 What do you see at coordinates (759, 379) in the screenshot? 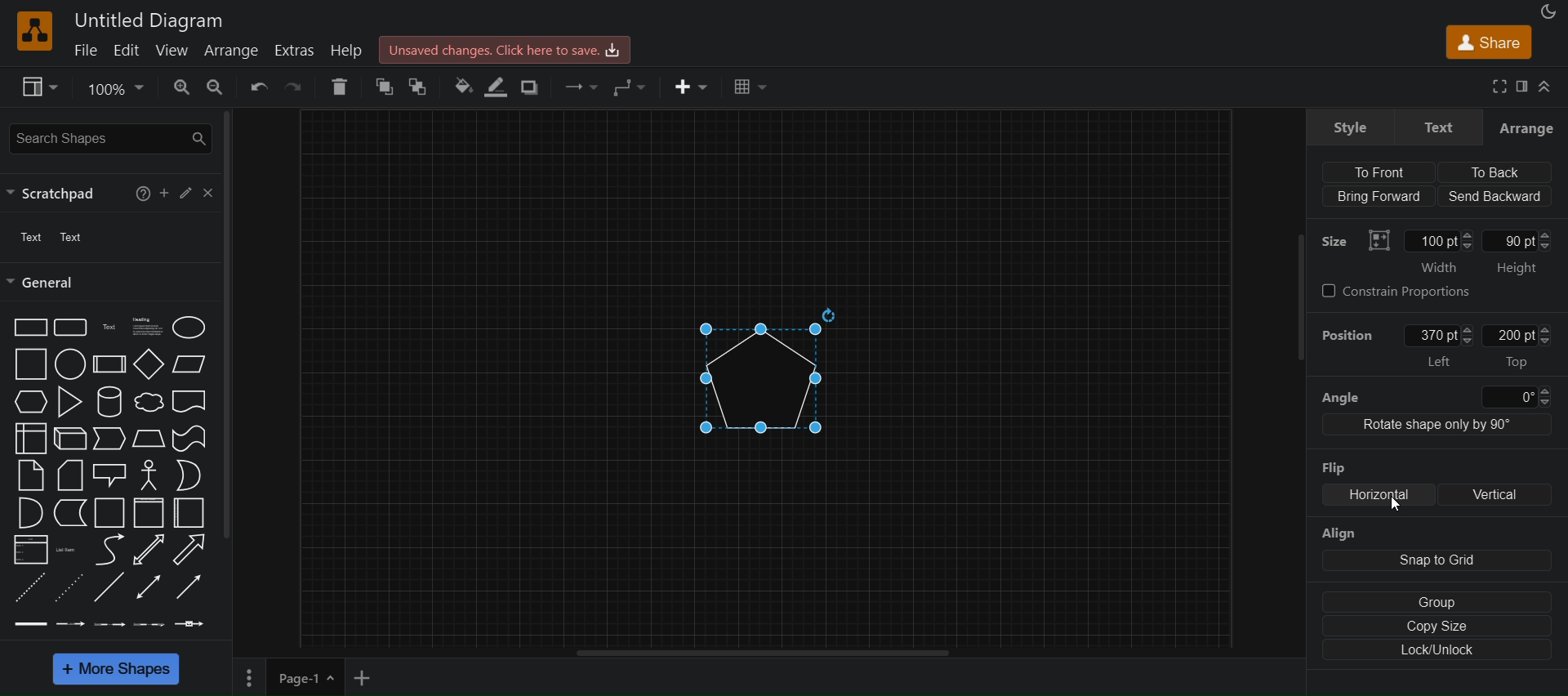
I see `pentagon flipped horizontally` at bounding box center [759, 379].